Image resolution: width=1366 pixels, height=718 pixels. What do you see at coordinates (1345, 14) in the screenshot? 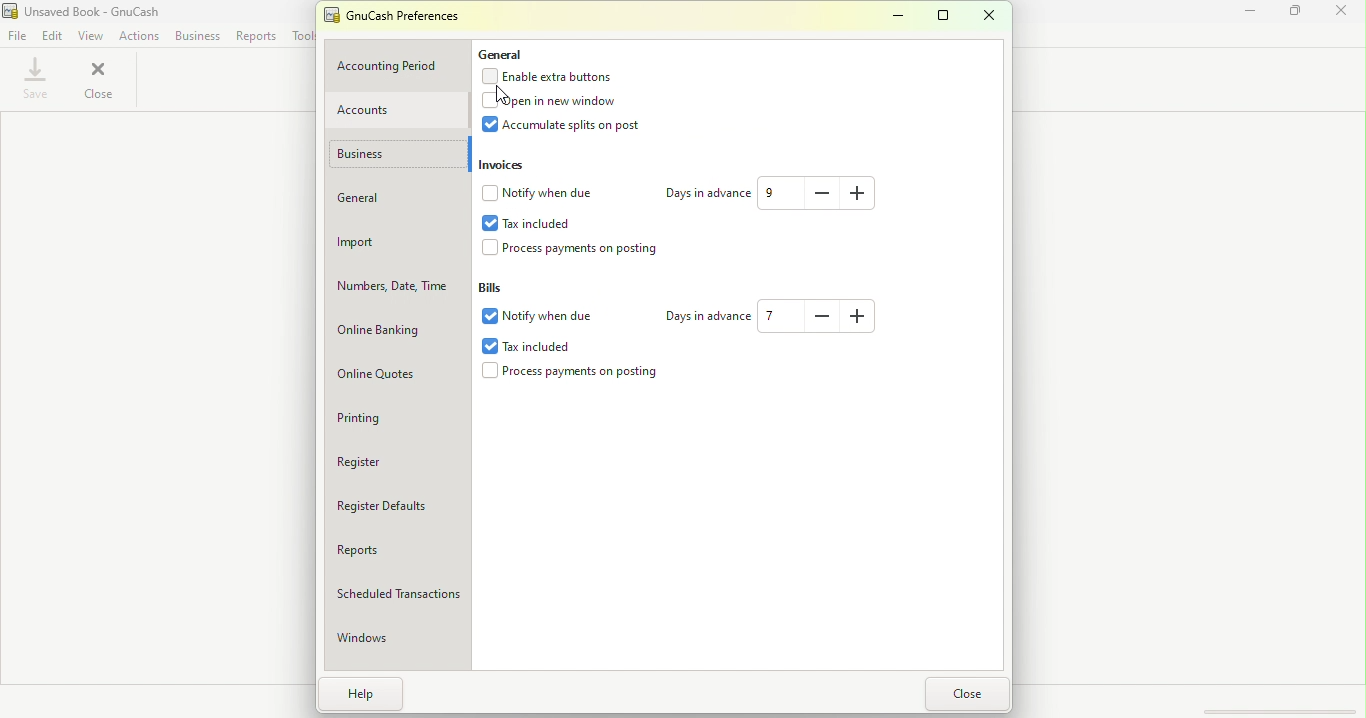
I see `Close` at bounding box center [1345, 14].